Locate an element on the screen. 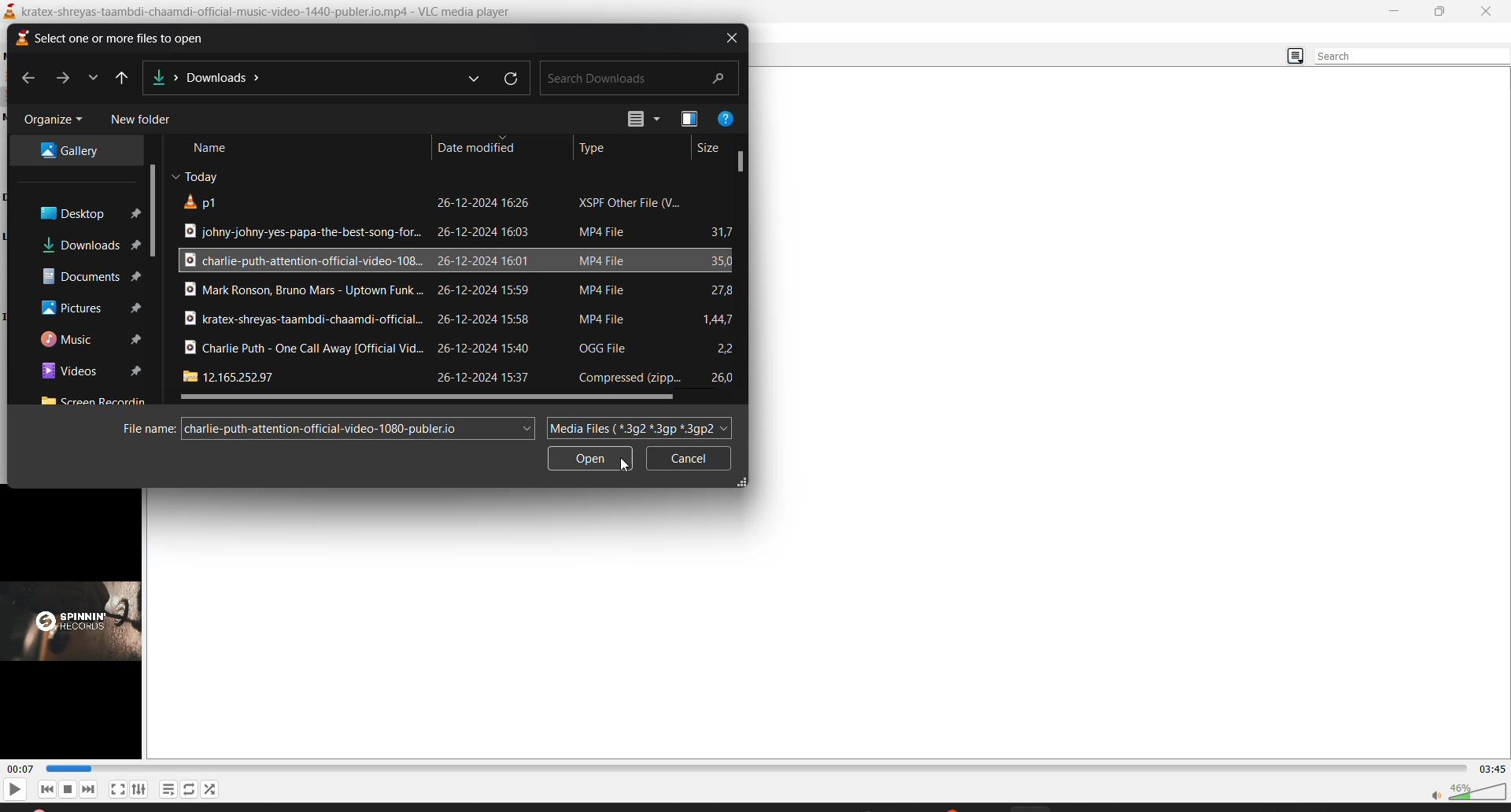 The image size is (1511, 812). file size is located at coordinates (717, 286).